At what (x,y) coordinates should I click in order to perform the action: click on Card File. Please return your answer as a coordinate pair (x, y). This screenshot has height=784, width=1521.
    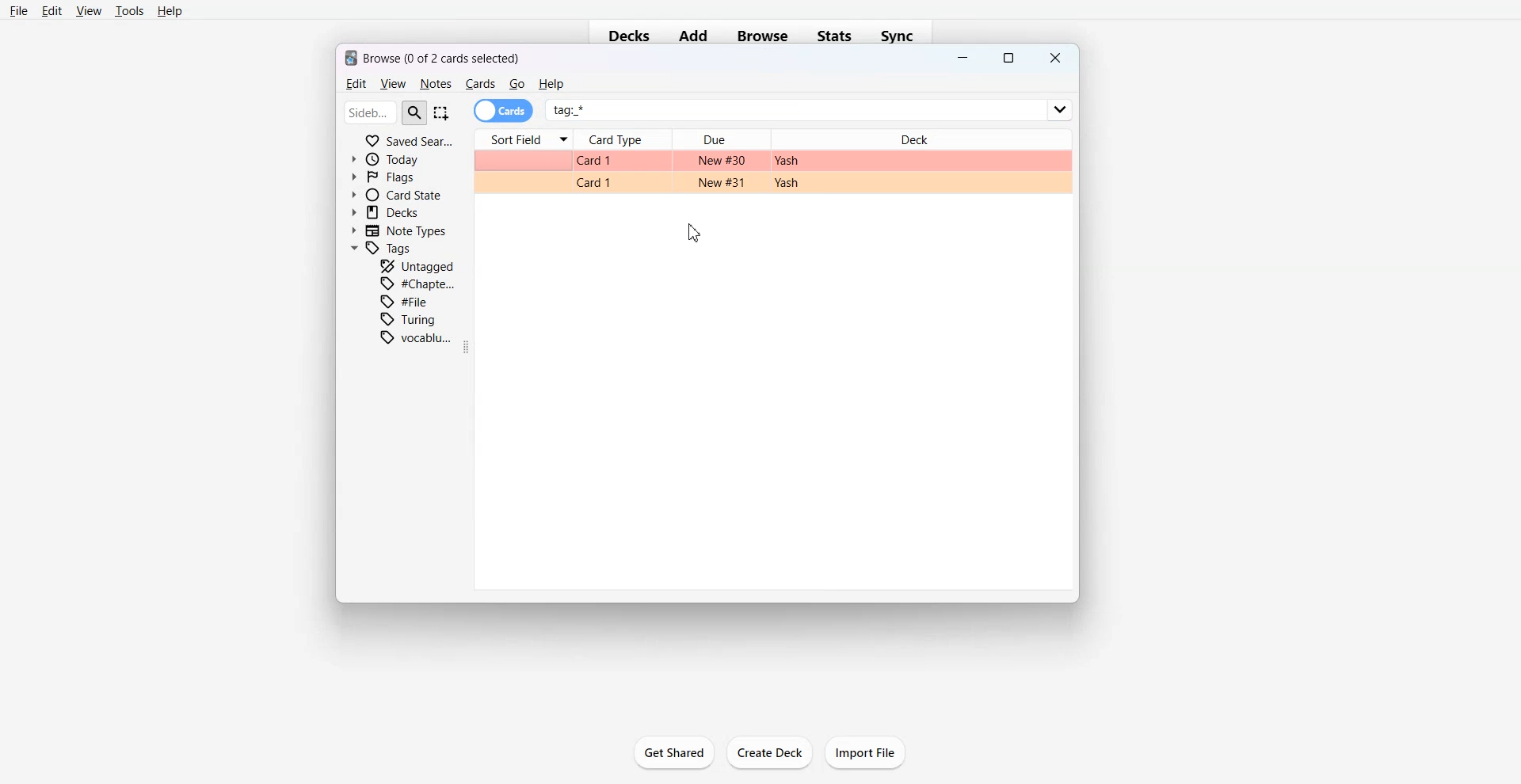
    Looking at the image, I should click on (772, 171).